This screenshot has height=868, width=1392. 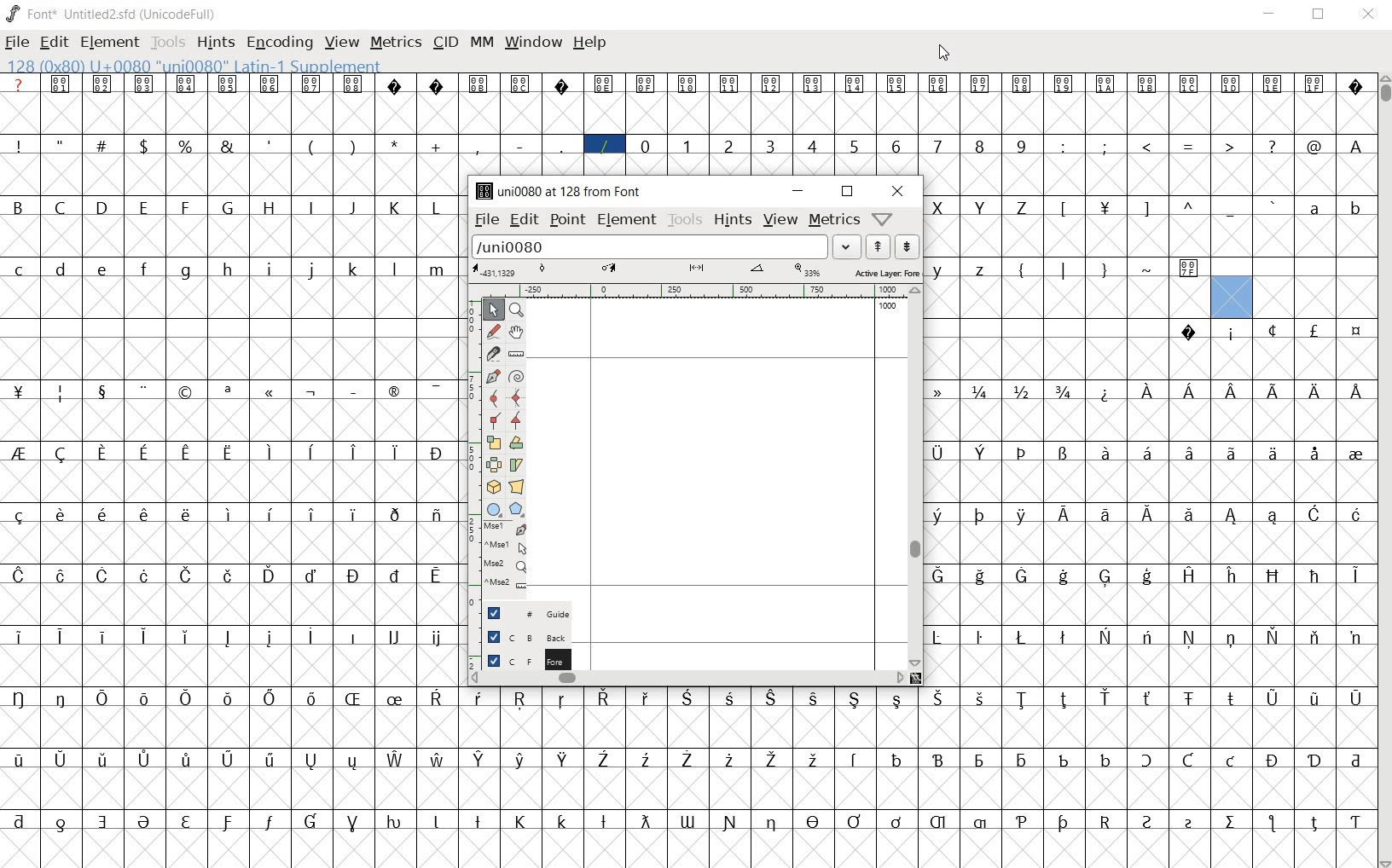 I want to click on glyph, so click(x=1231, y=211).